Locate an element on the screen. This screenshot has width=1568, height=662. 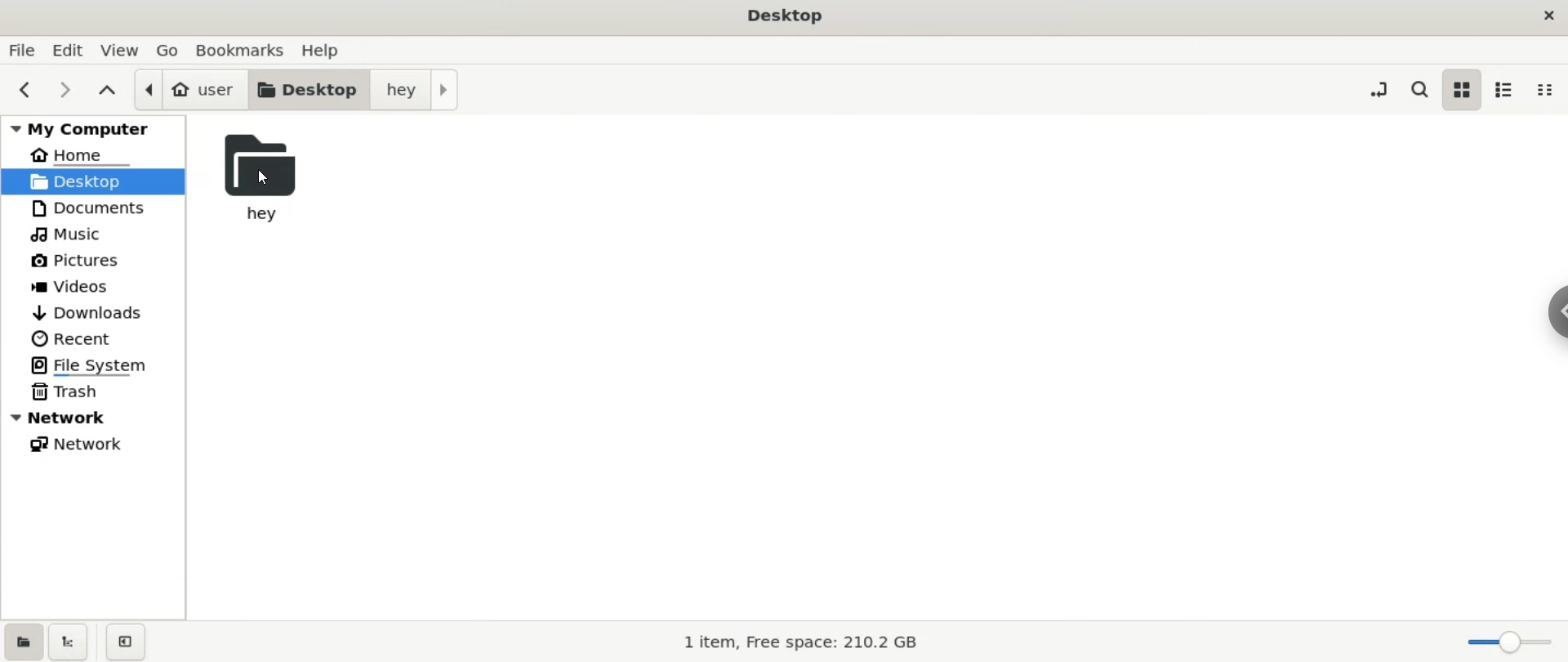
home is located at coordinates (94, 152).